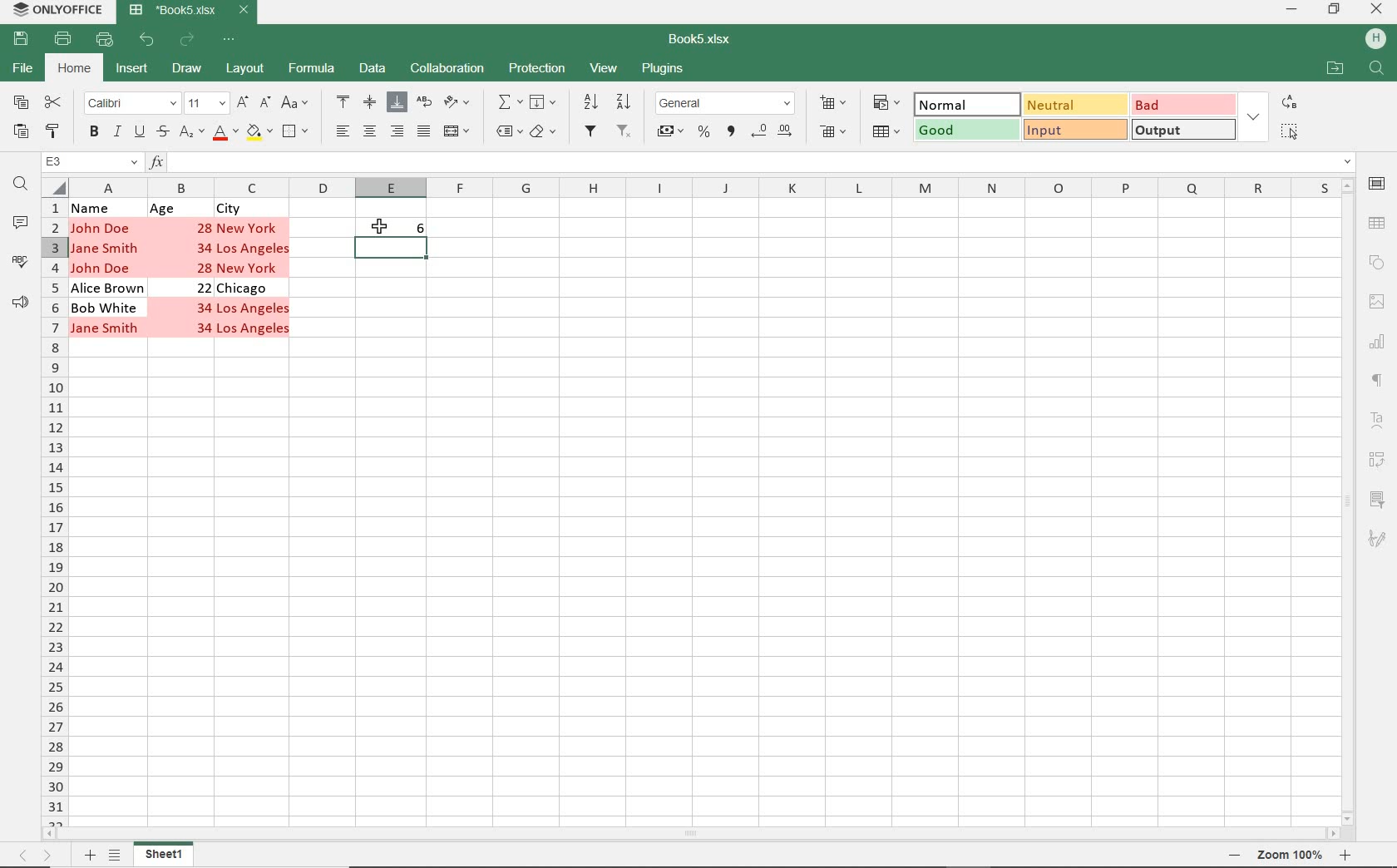 The image size is (1397, 868). I want to click on FILL COLOR, so click(259, 134).